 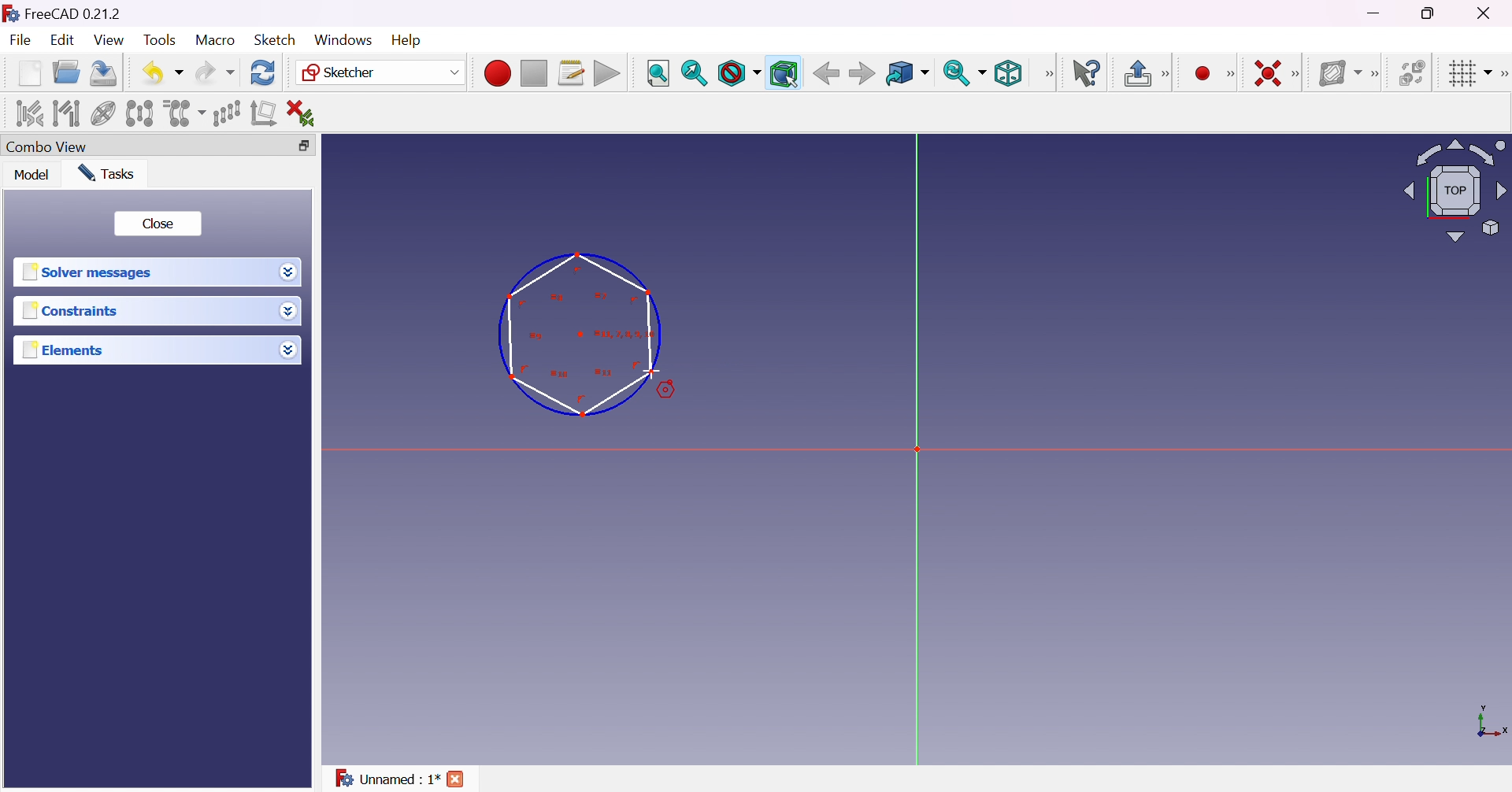 What do you see at coordinates (1299, 75) in the screenshot?
I see `Sketcher constraints` at bounding box center [1299, 75].